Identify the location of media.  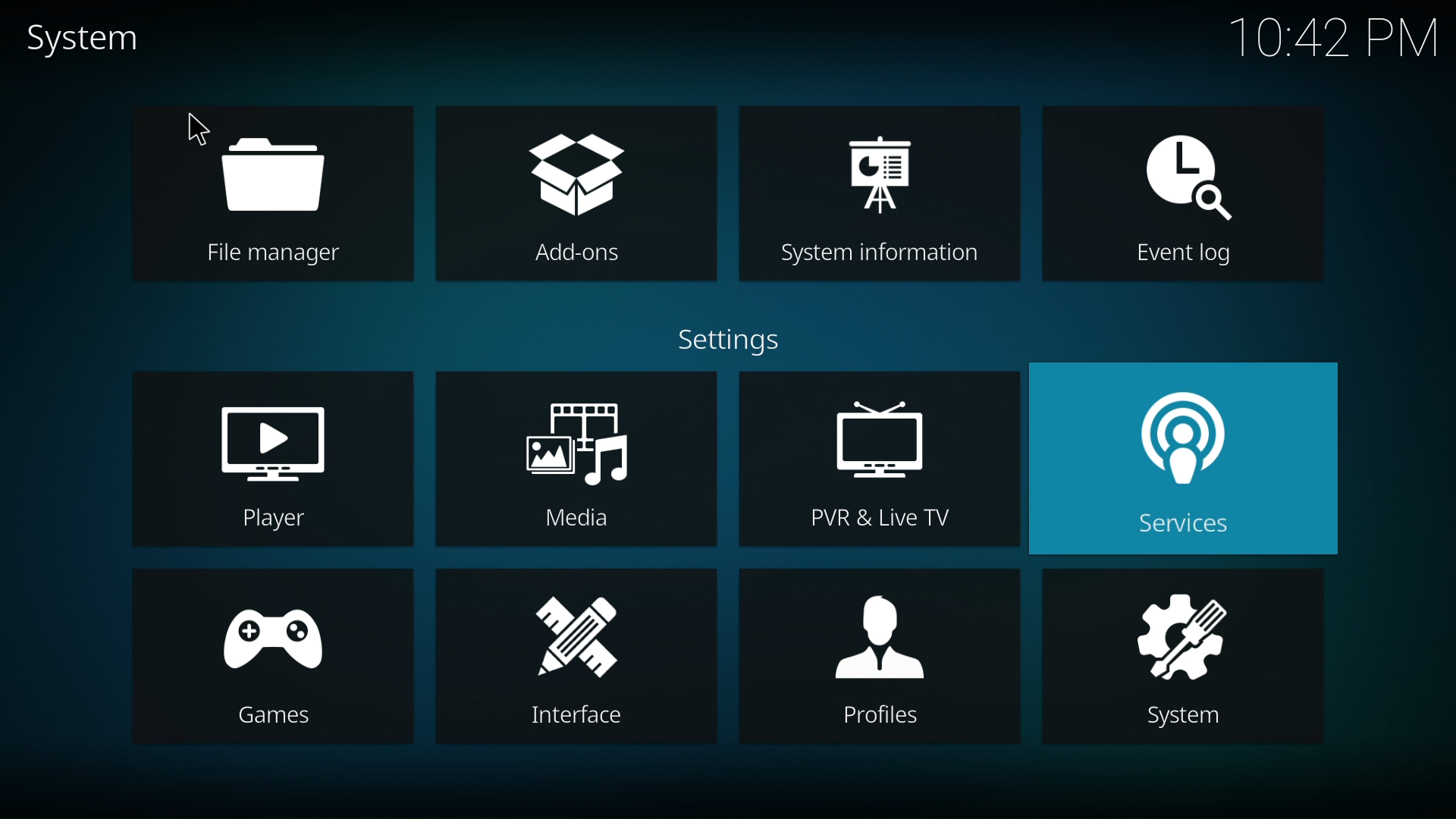
(575, 463).